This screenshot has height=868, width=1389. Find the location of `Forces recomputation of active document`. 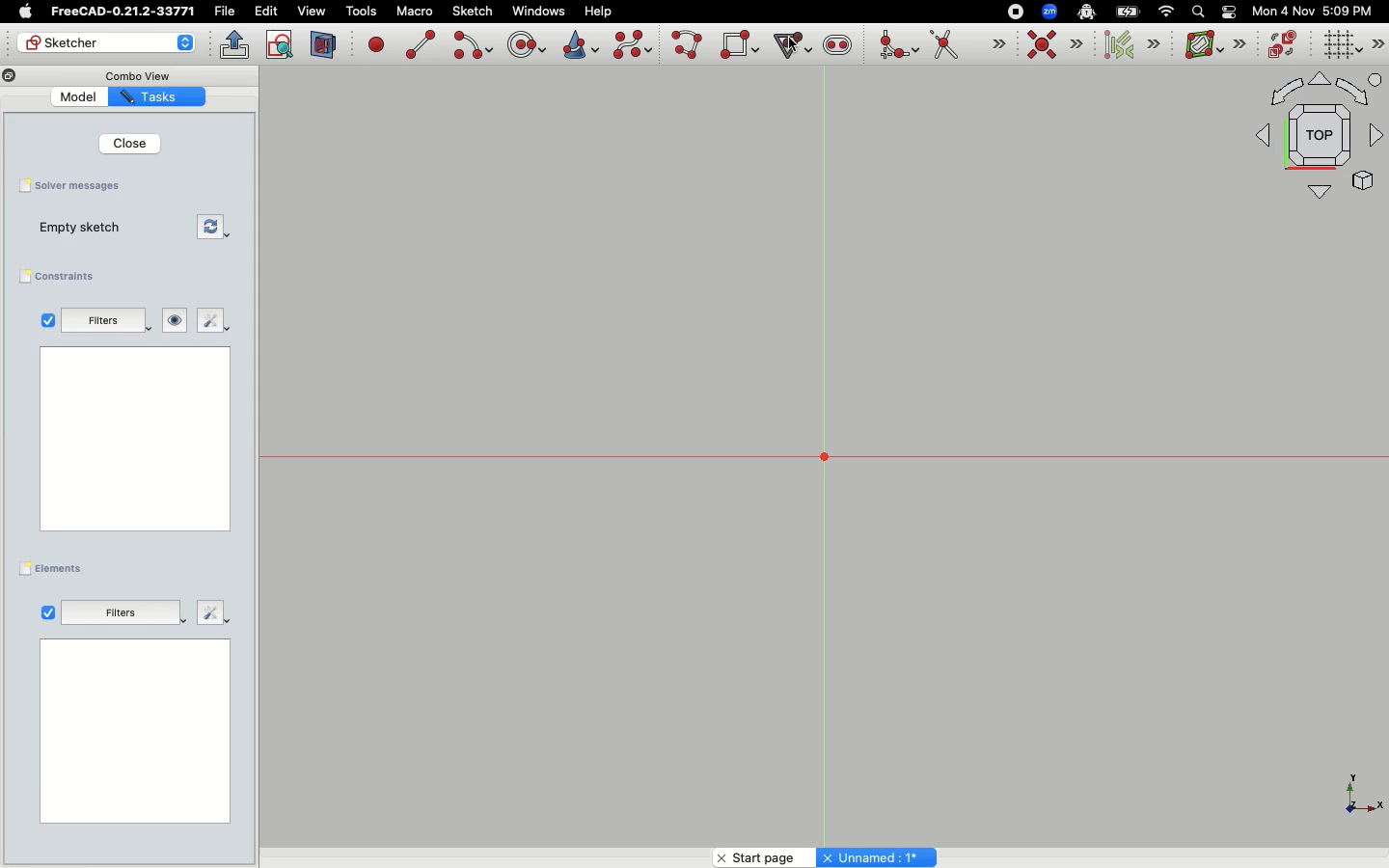

Forces recomputation of active document is located at coordinates (215, 228).